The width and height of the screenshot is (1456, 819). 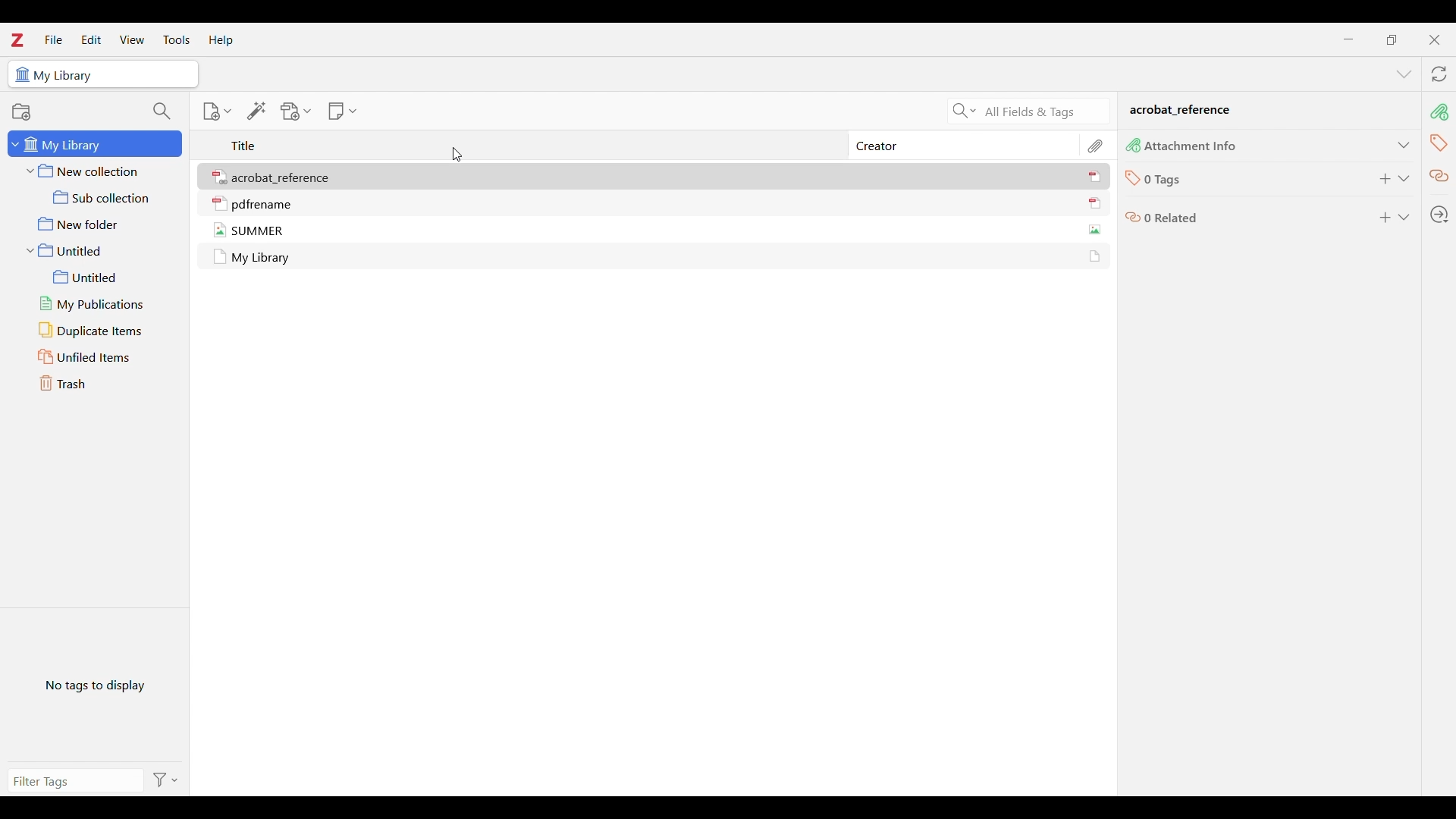 I want to click on New item options, so click(x=217, y=111).